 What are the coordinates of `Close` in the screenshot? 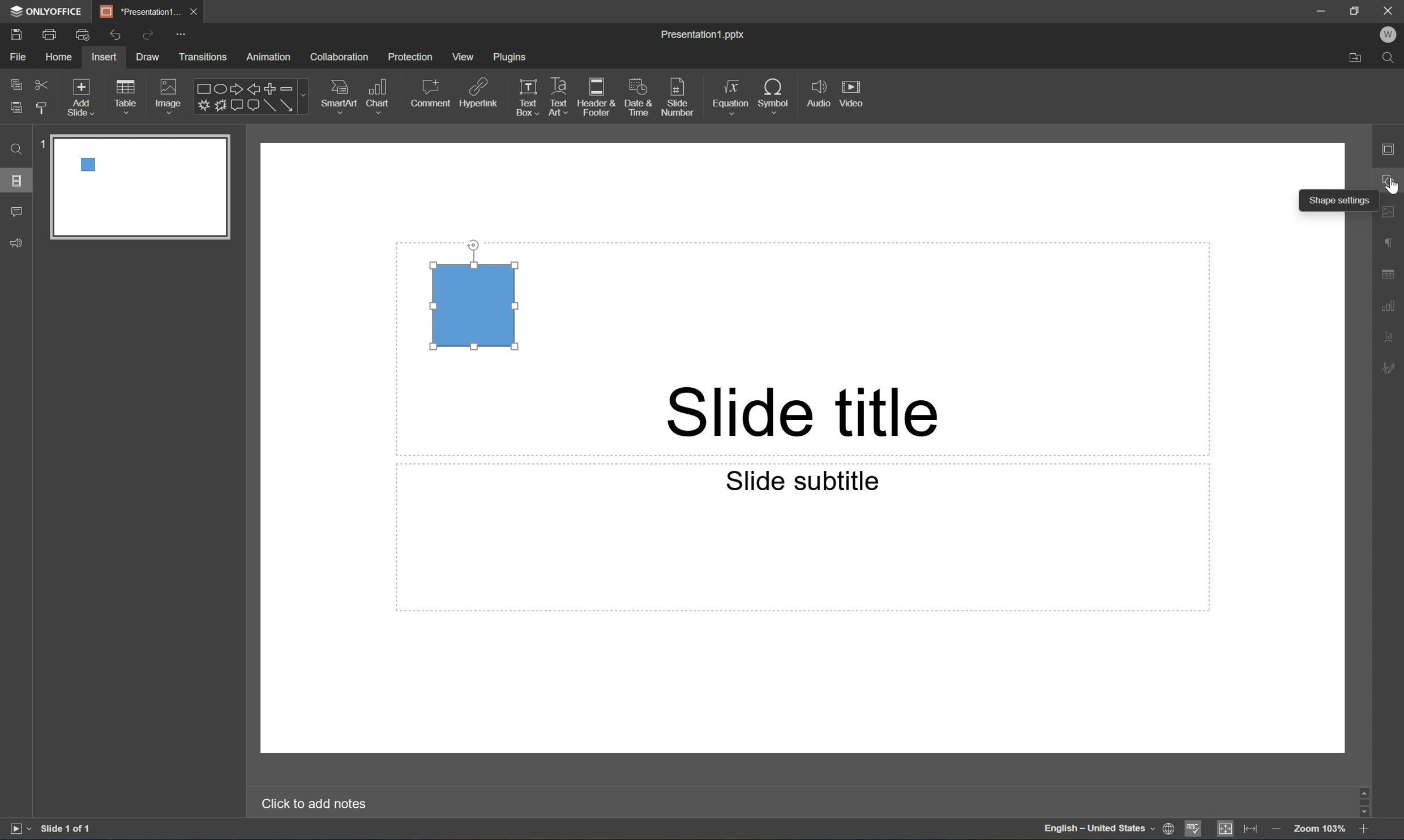 It's located at (192, 12).